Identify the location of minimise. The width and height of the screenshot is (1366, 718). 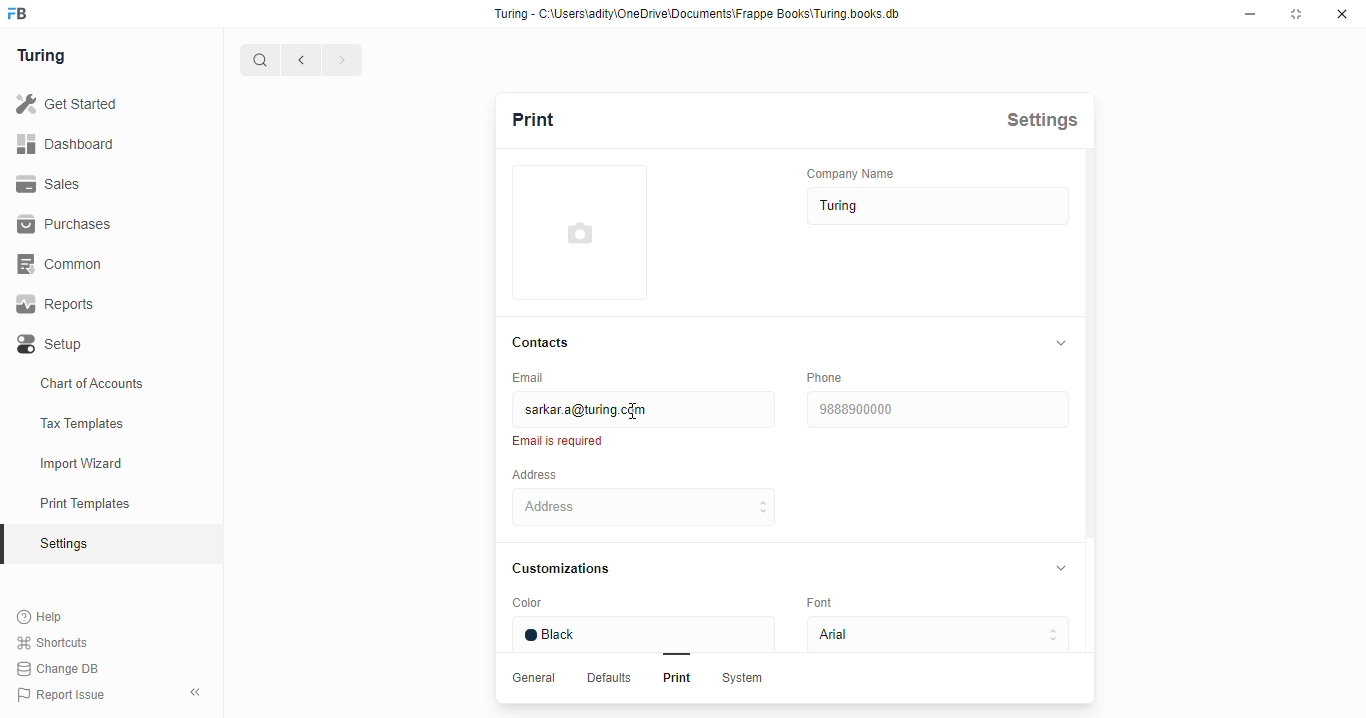
(1253, 14).